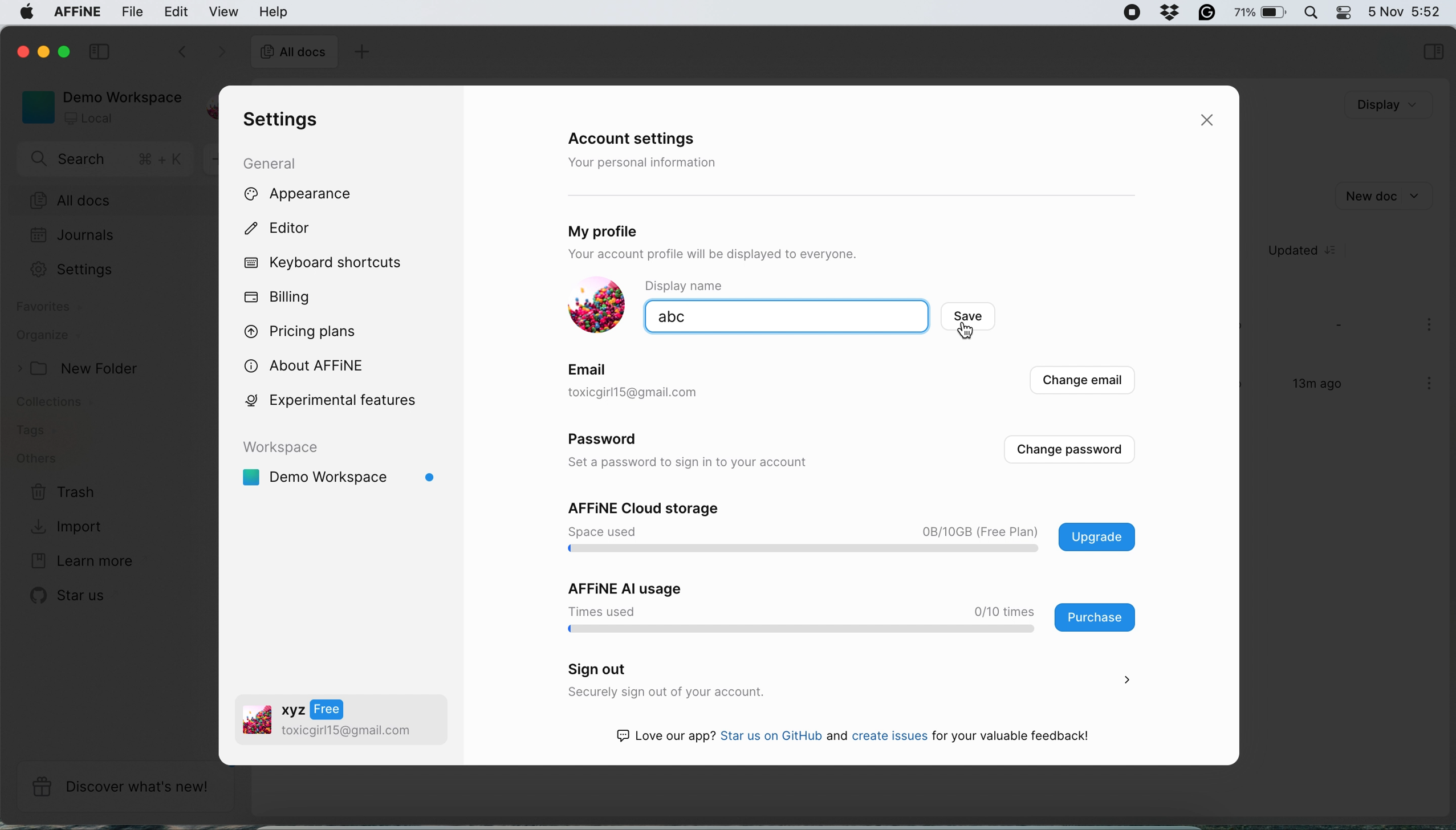 This screenshot has width=1456, height=830. I want to click on your personal information, so click(646, 162).